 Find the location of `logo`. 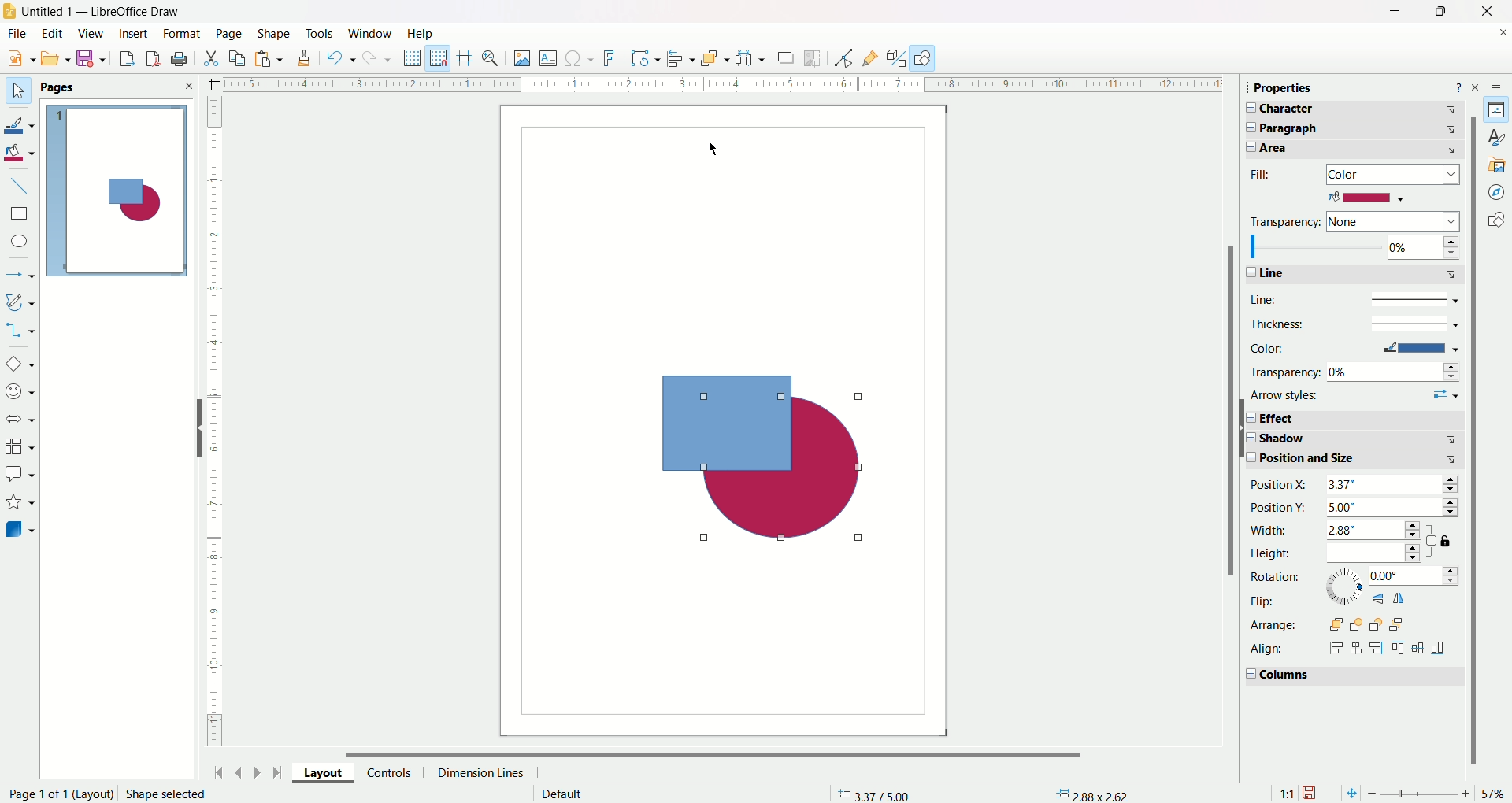

logo is located at coordinates (11, 9).